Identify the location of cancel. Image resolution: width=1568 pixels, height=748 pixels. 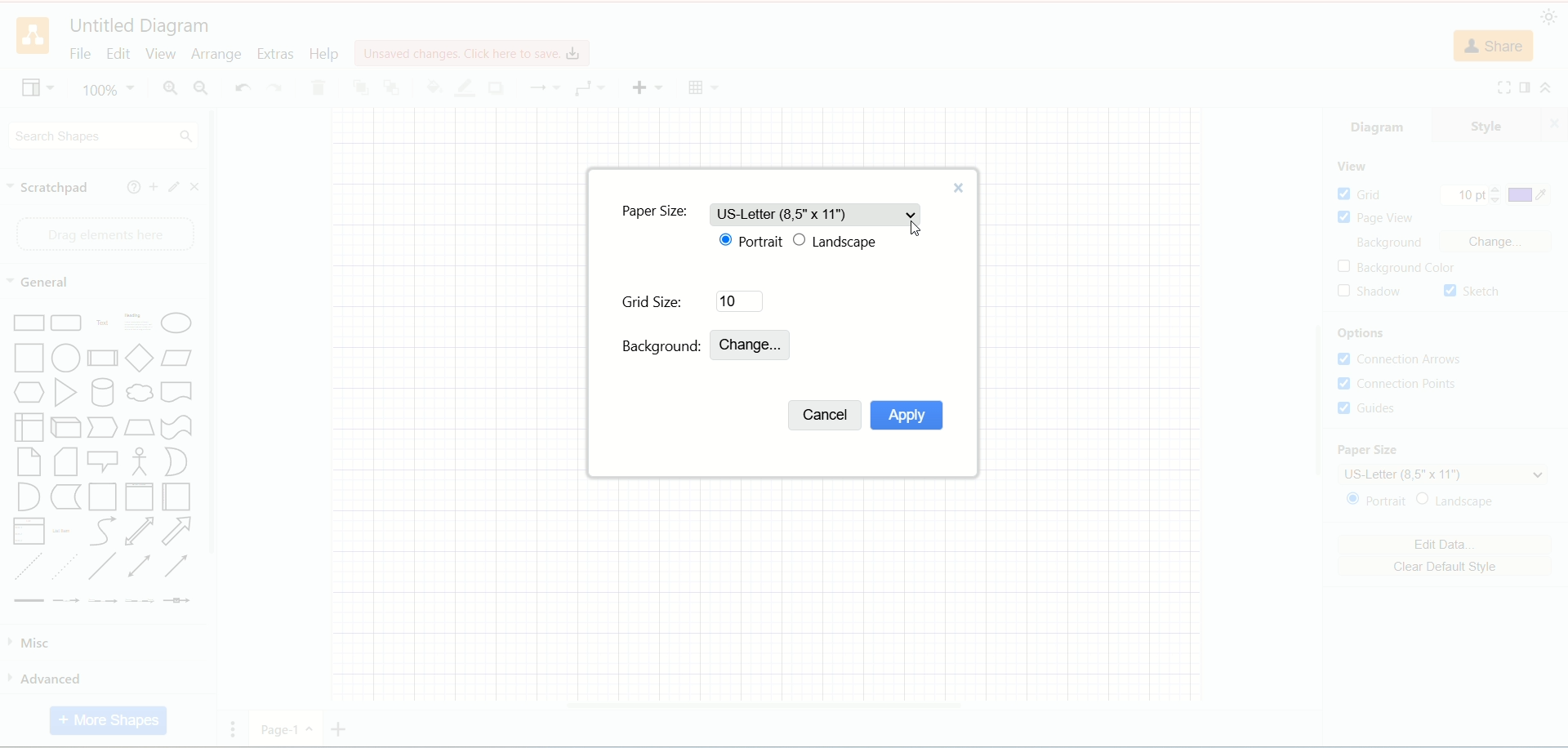
(821, 415).